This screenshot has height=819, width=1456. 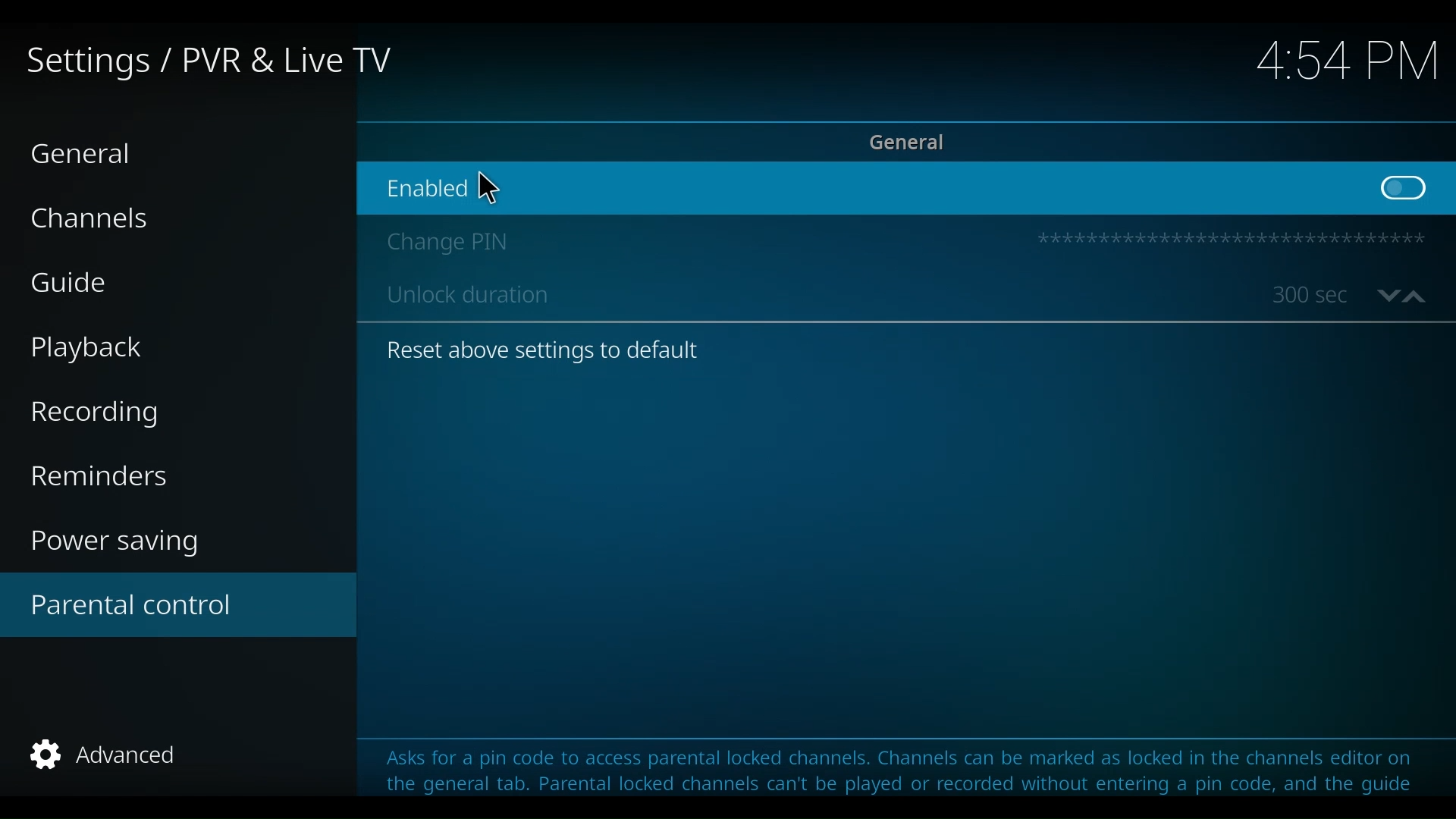 I want to click on Playback, so click(x=88, y=348).